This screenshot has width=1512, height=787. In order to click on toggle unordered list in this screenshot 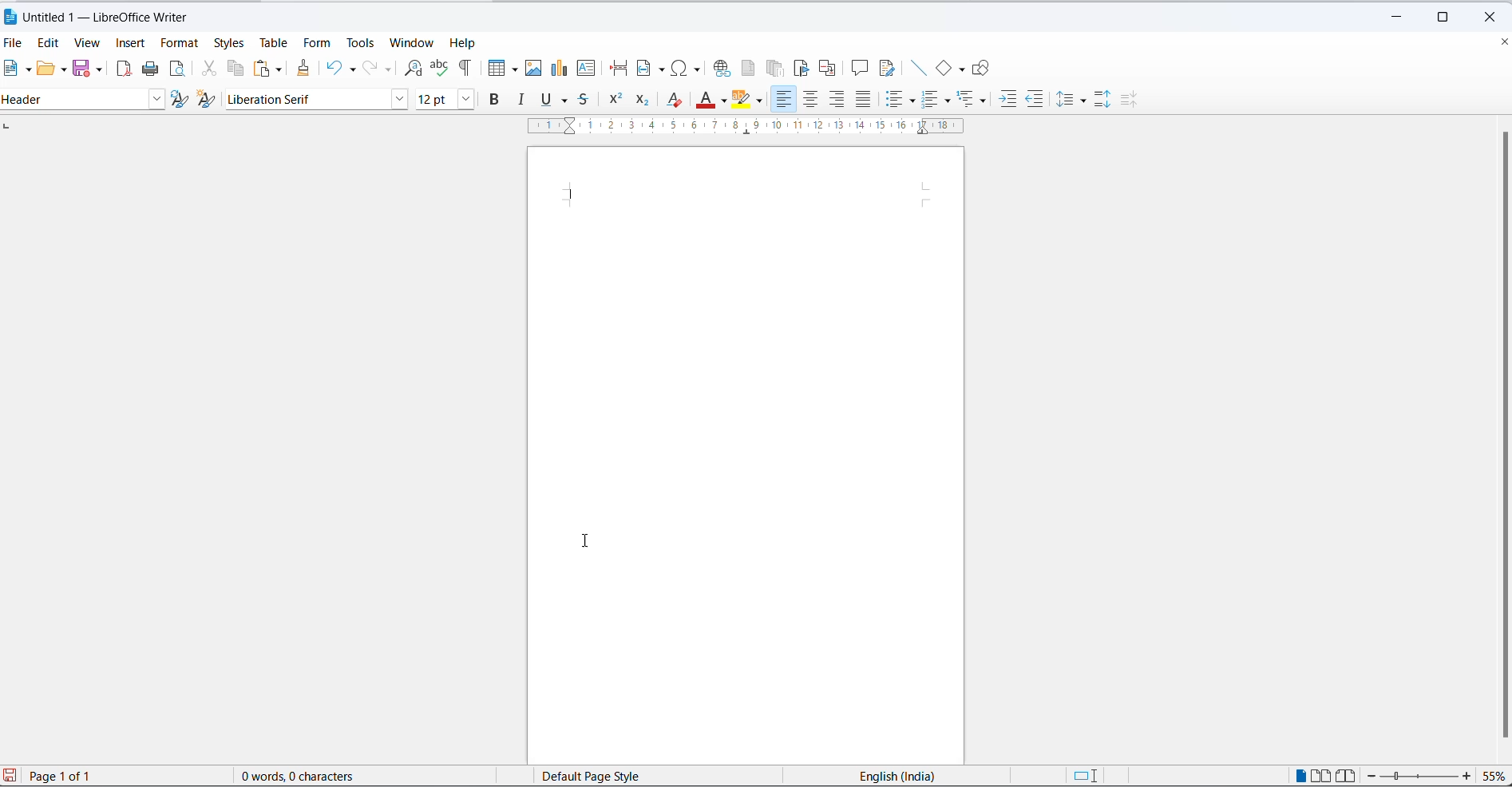, I will do `click(897, 100)`.